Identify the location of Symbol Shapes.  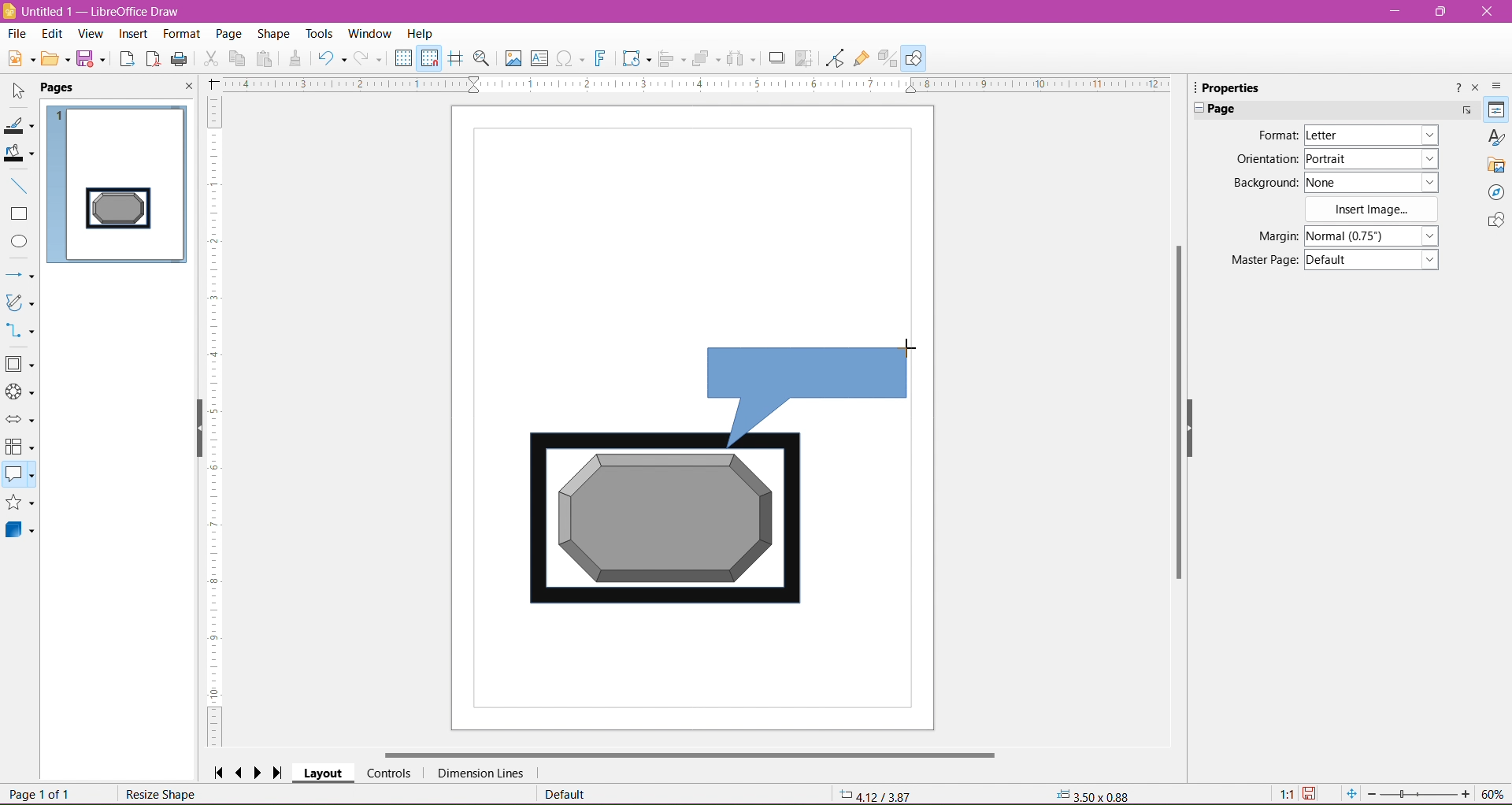
(20, 393).